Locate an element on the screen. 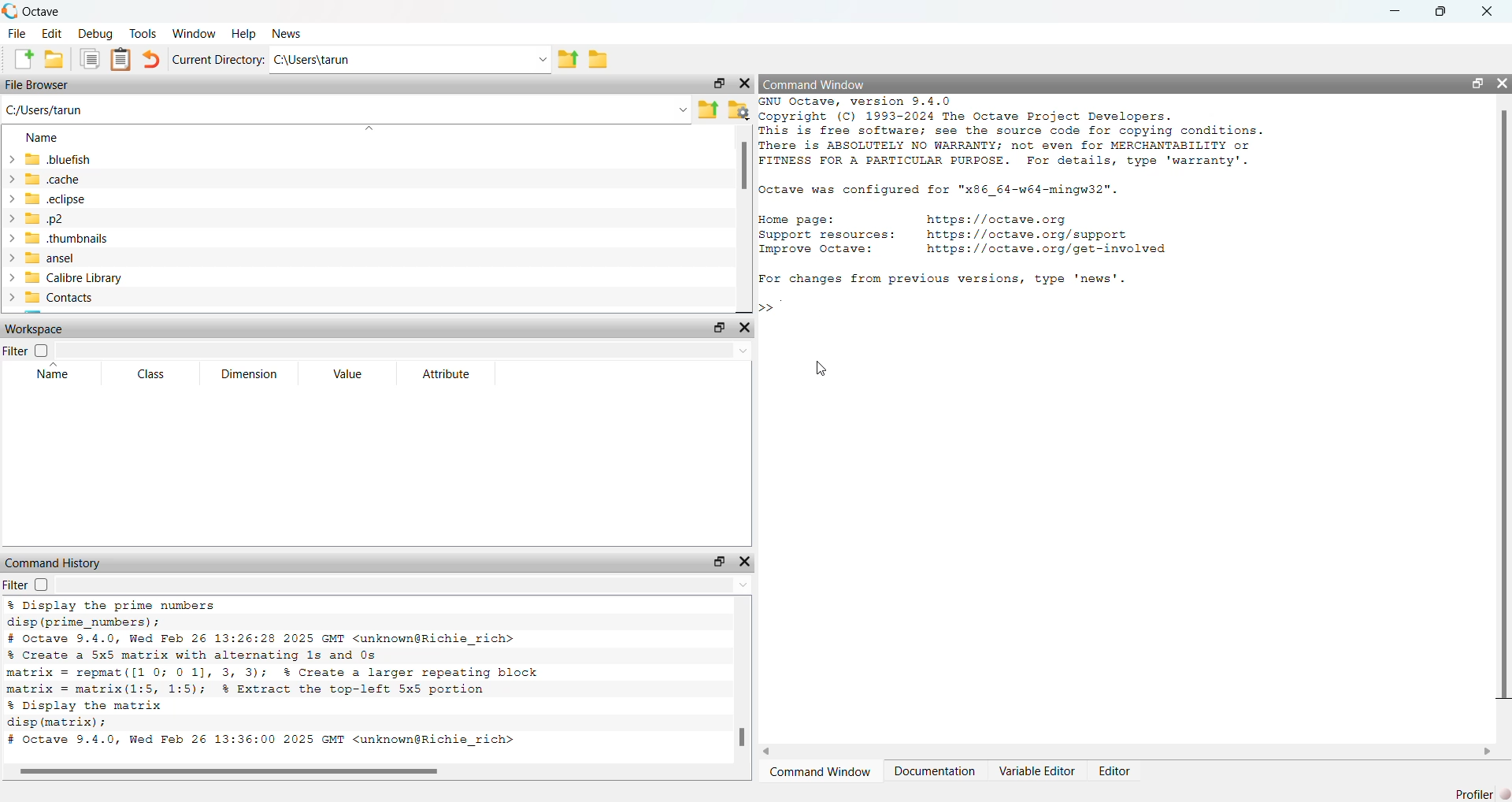  new script is located at coordinates (17, 60).